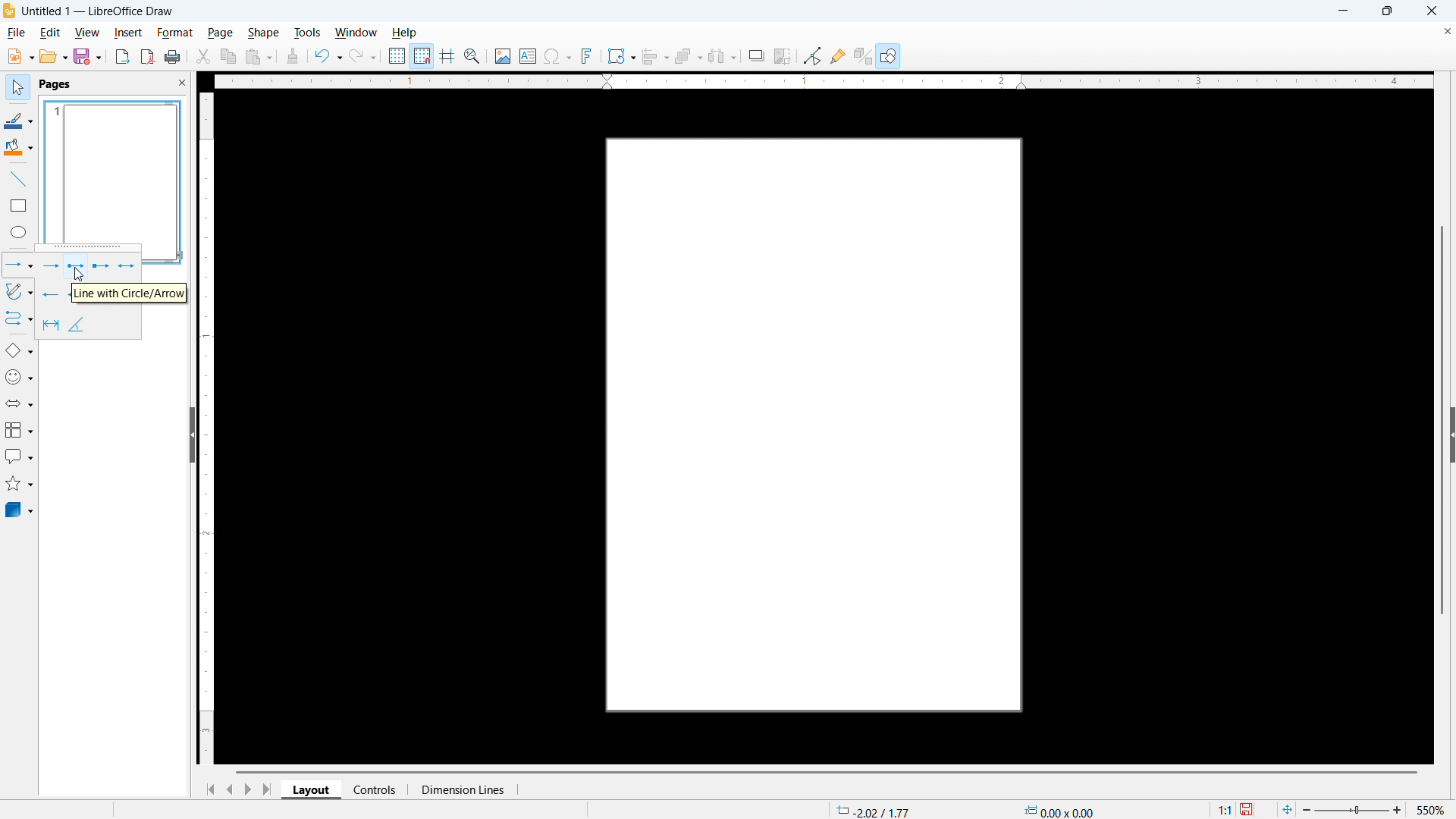 The width and height of the screenshot is (1456, 819). What do you see at coordinates (269, 789) in the screenshot?
I see `Go to last page ` at bounding box center [269, 789].